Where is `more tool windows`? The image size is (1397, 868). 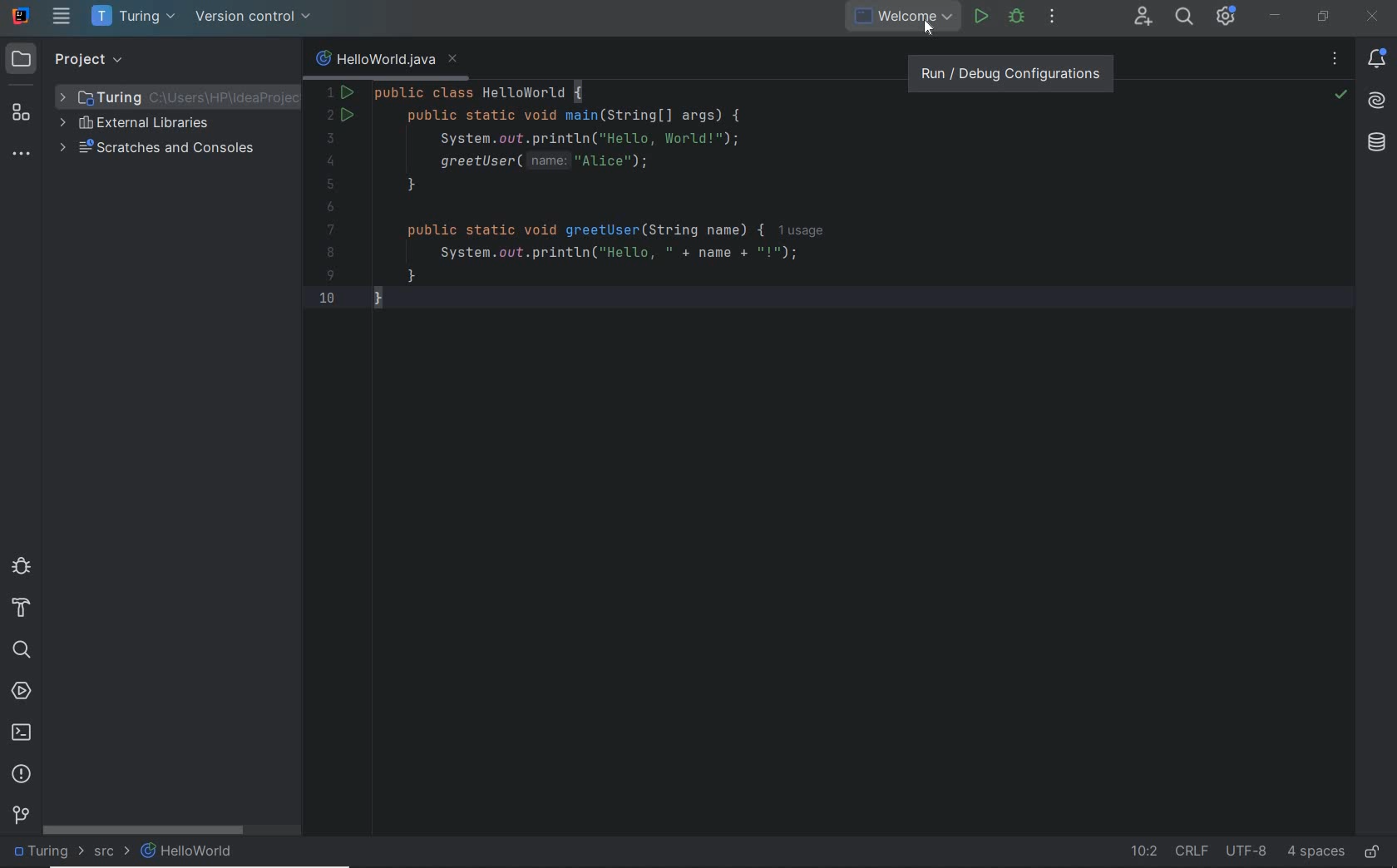
more tool windows is located at coordinates (20, 155).